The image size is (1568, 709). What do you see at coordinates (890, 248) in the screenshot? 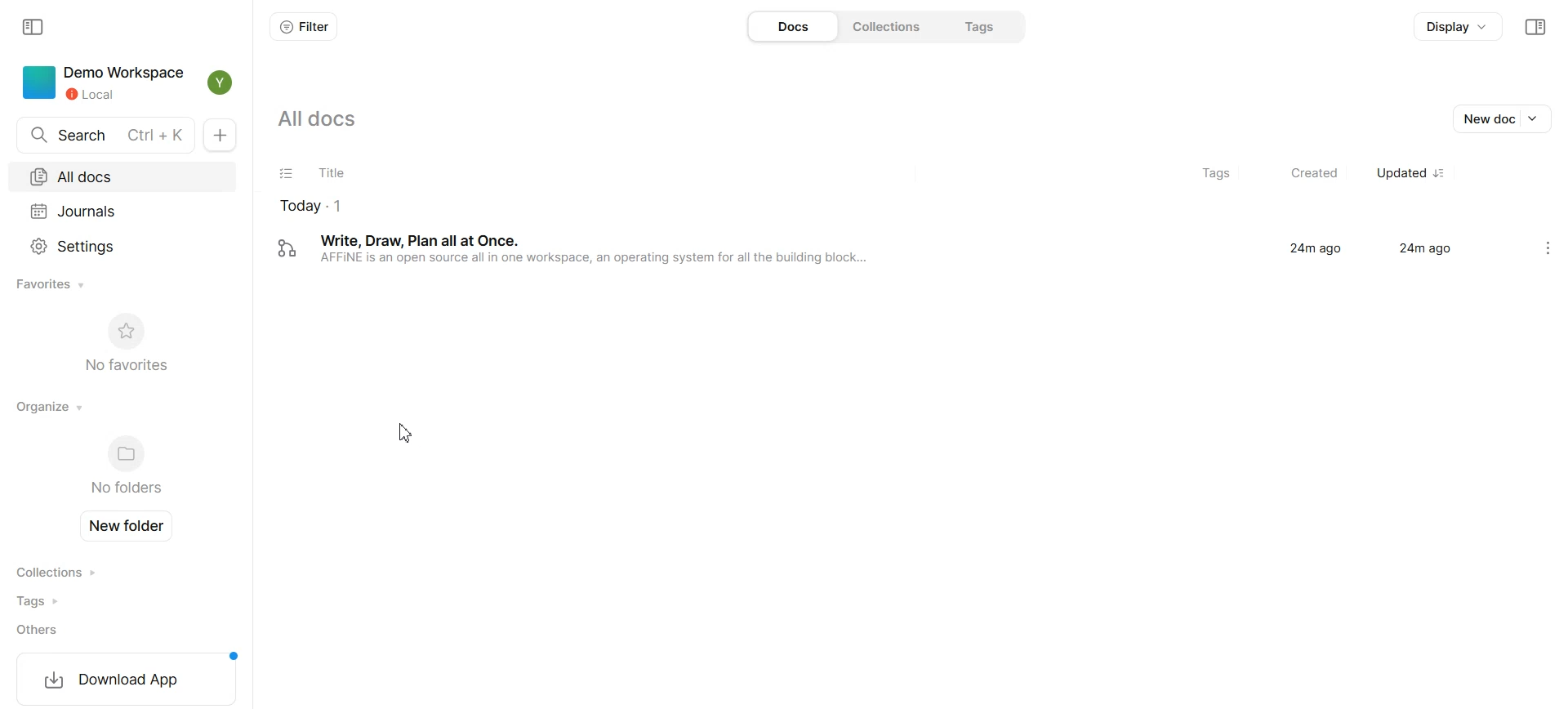
I see `Document` at bounding box center [890, 248].